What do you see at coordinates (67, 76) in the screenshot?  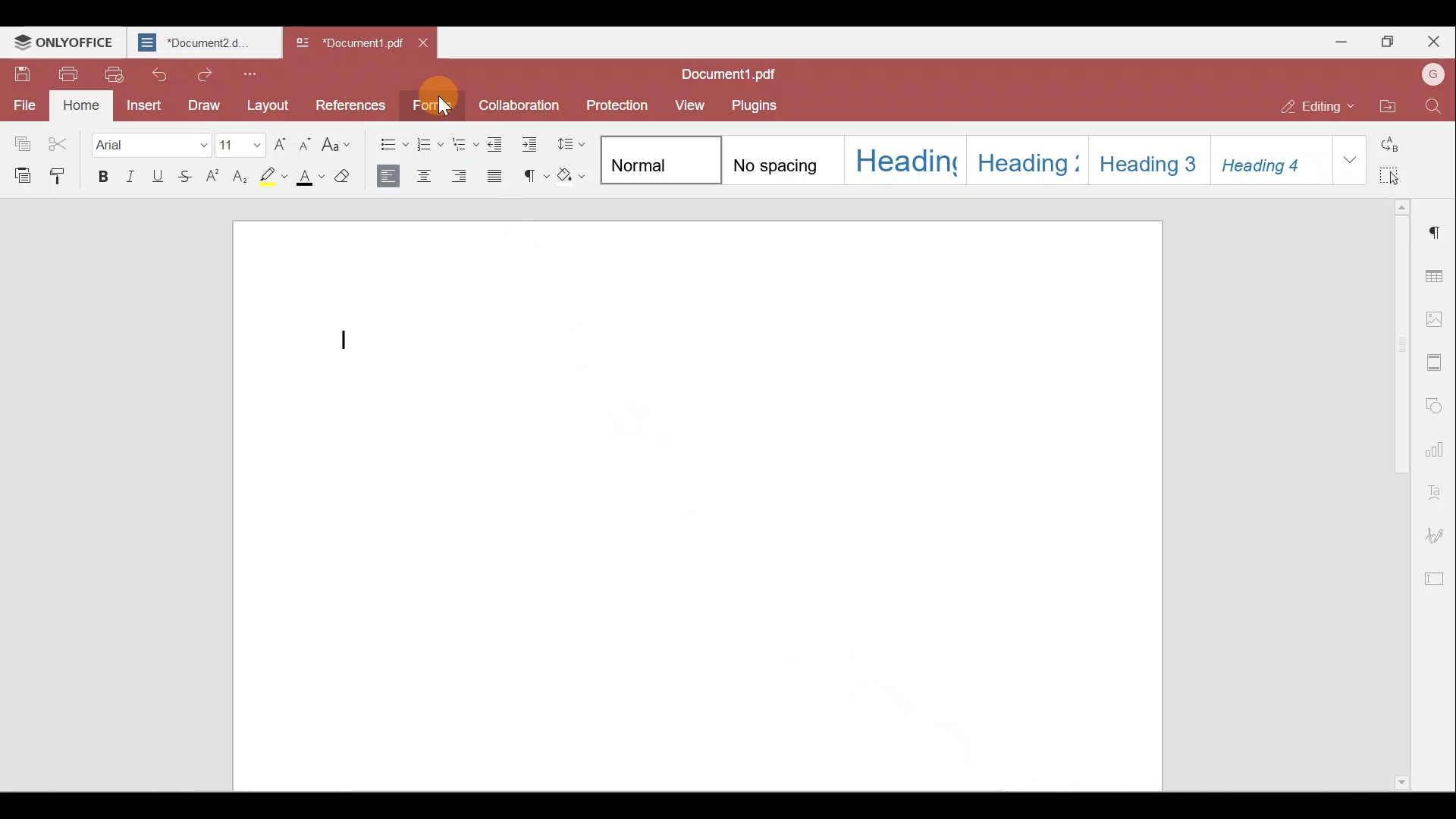 I see `Print file` at bounding box center [67, 76].